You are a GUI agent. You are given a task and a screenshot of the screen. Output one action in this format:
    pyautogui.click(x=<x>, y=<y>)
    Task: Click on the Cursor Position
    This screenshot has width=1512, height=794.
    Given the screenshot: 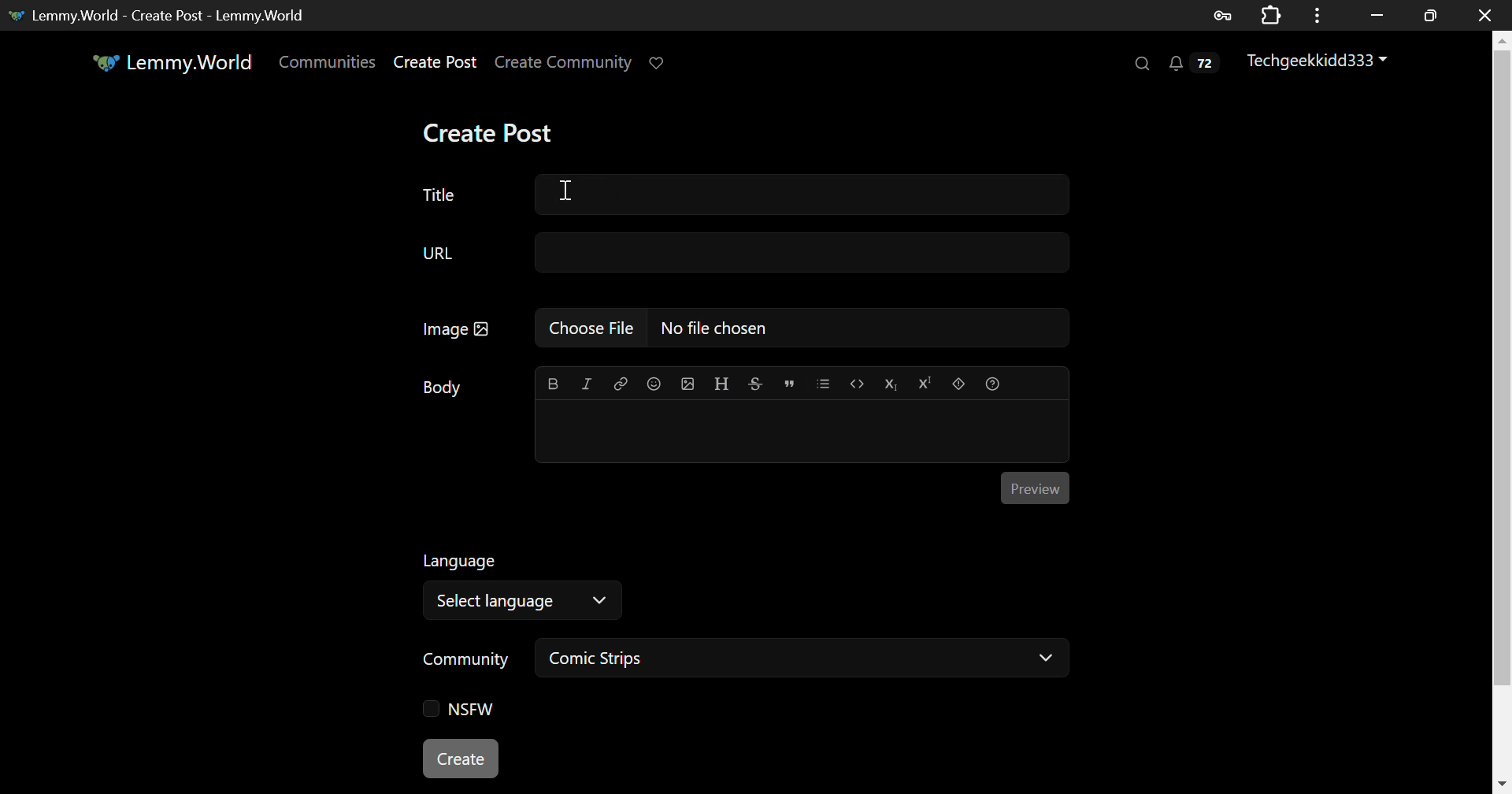 What is the action you would take?
    pyautogui.click(x=568, y=191)
    